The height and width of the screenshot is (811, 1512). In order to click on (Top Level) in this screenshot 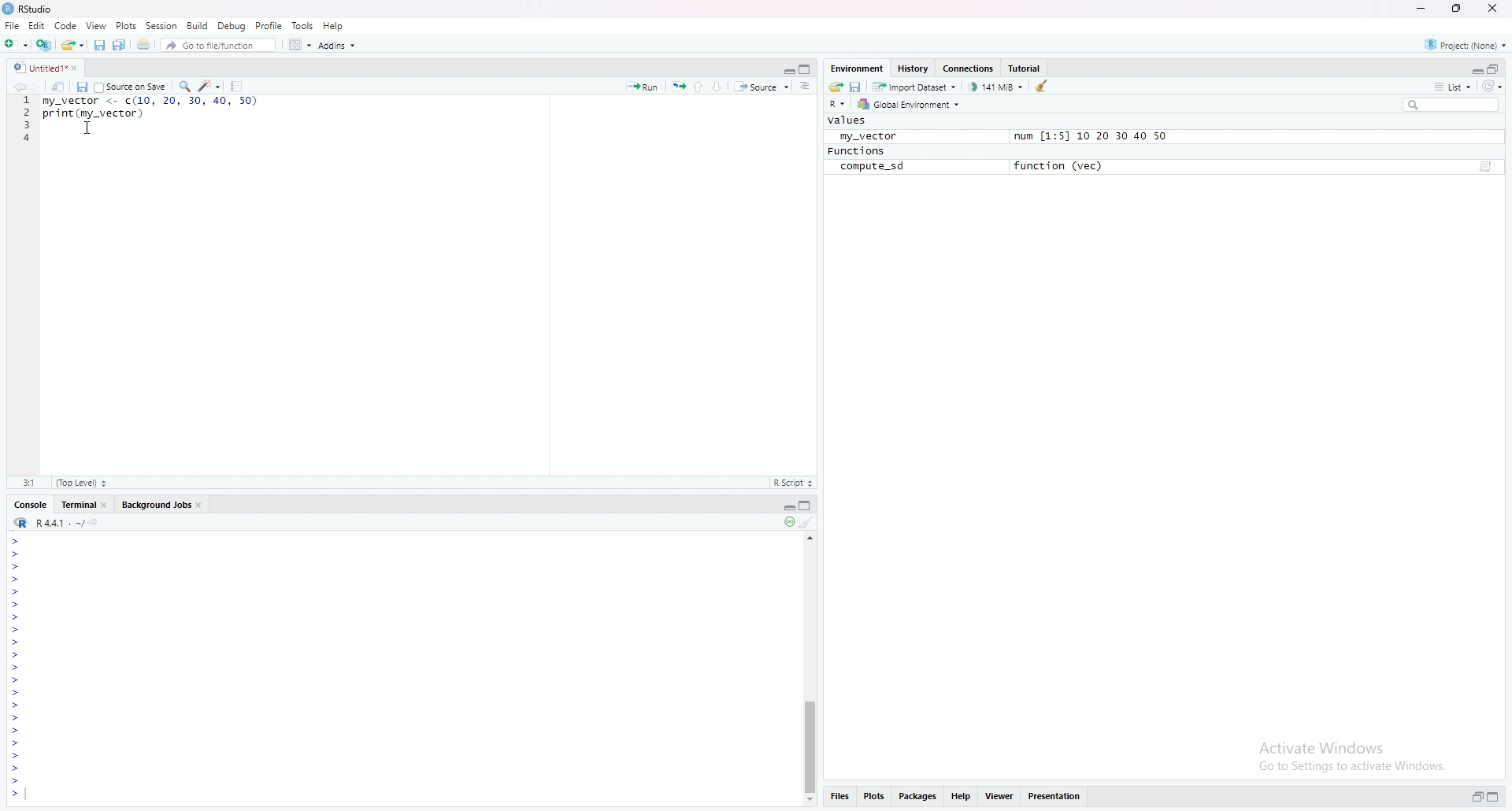, I will do `click(80, 483)`.